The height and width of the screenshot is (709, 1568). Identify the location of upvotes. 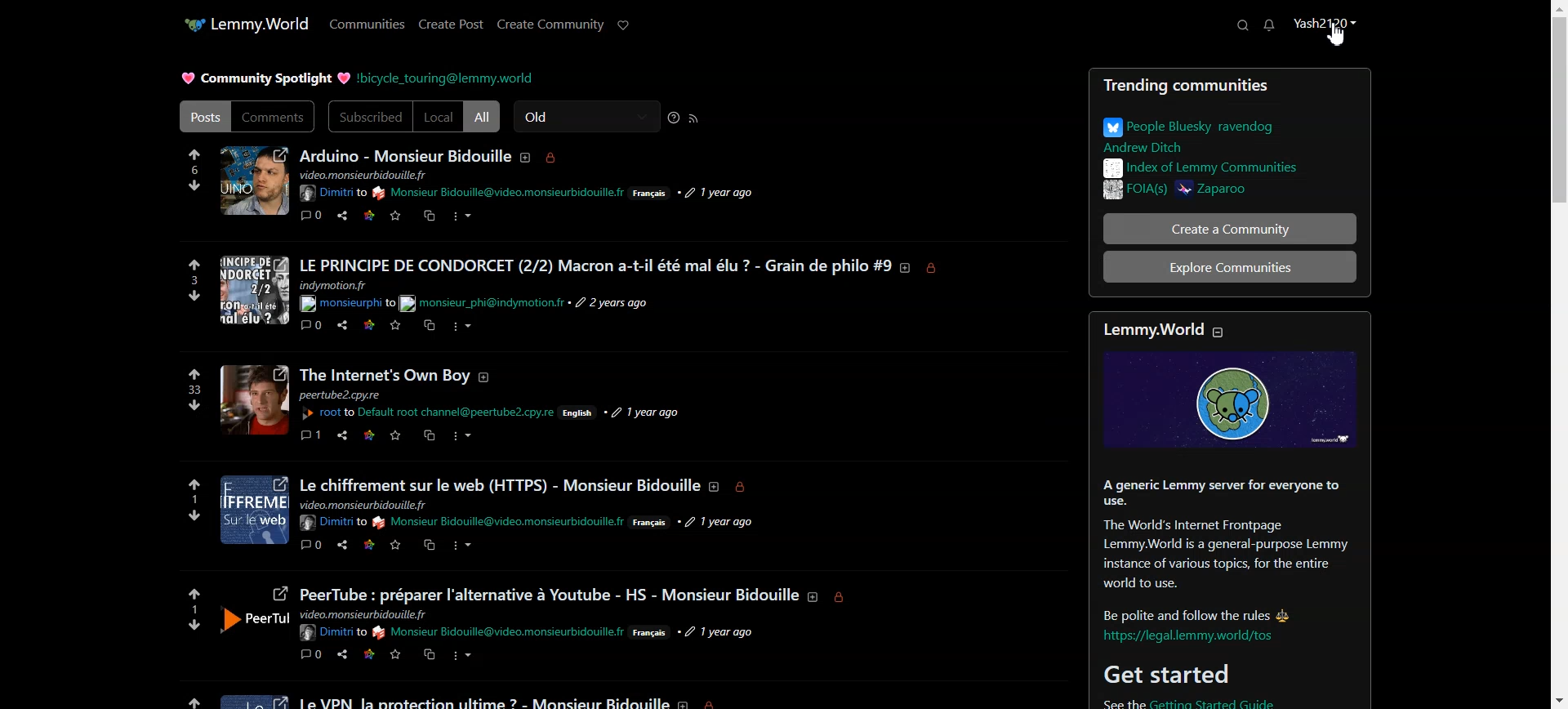
(194, 373).